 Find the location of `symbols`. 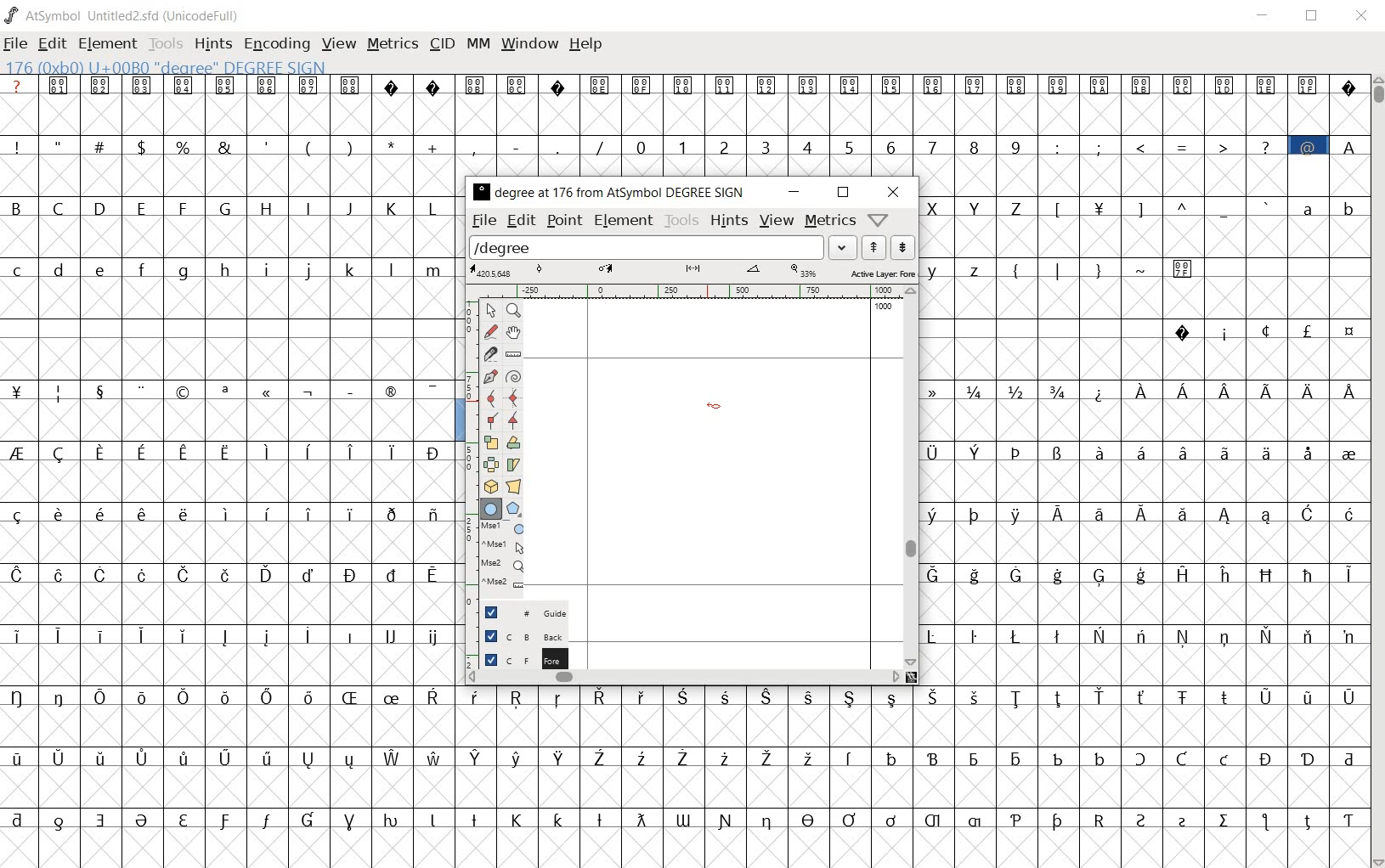

symbols is located at coordinates (1104, 268).